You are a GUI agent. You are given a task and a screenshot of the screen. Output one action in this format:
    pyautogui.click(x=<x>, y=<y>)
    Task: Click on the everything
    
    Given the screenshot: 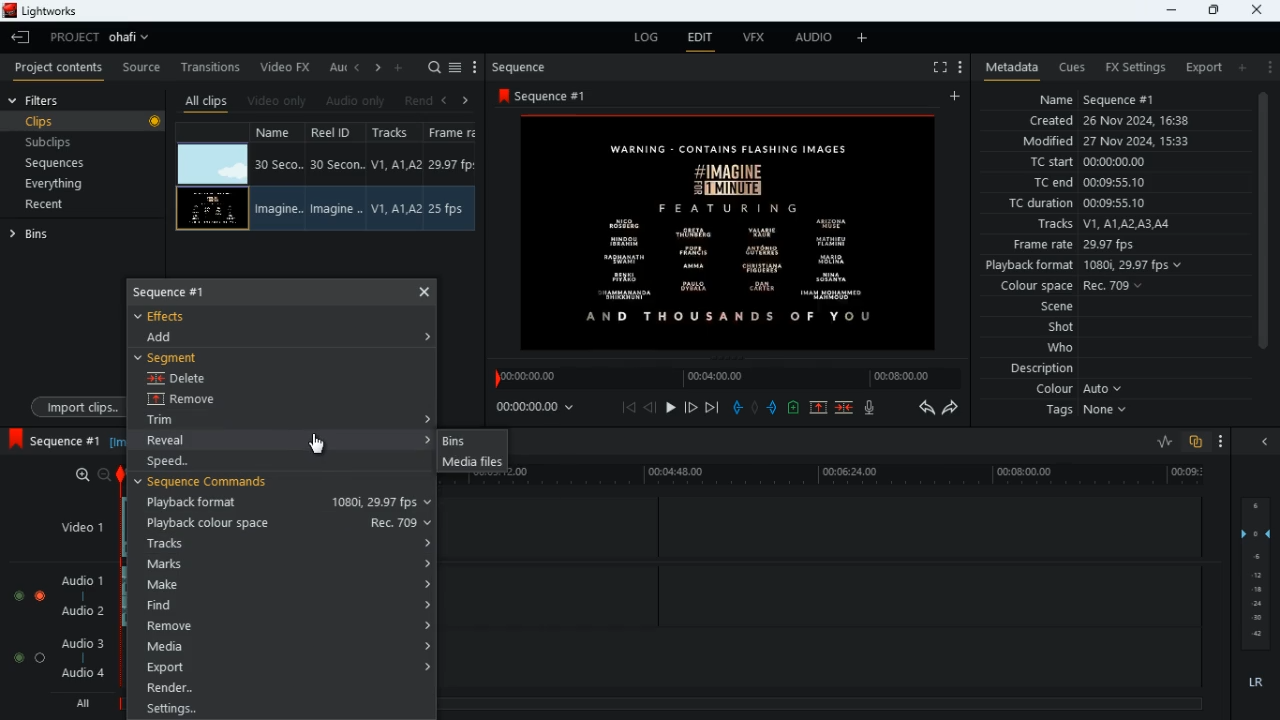 What is the action you would take?
    pyautogui.click(x=76, y=183)
    